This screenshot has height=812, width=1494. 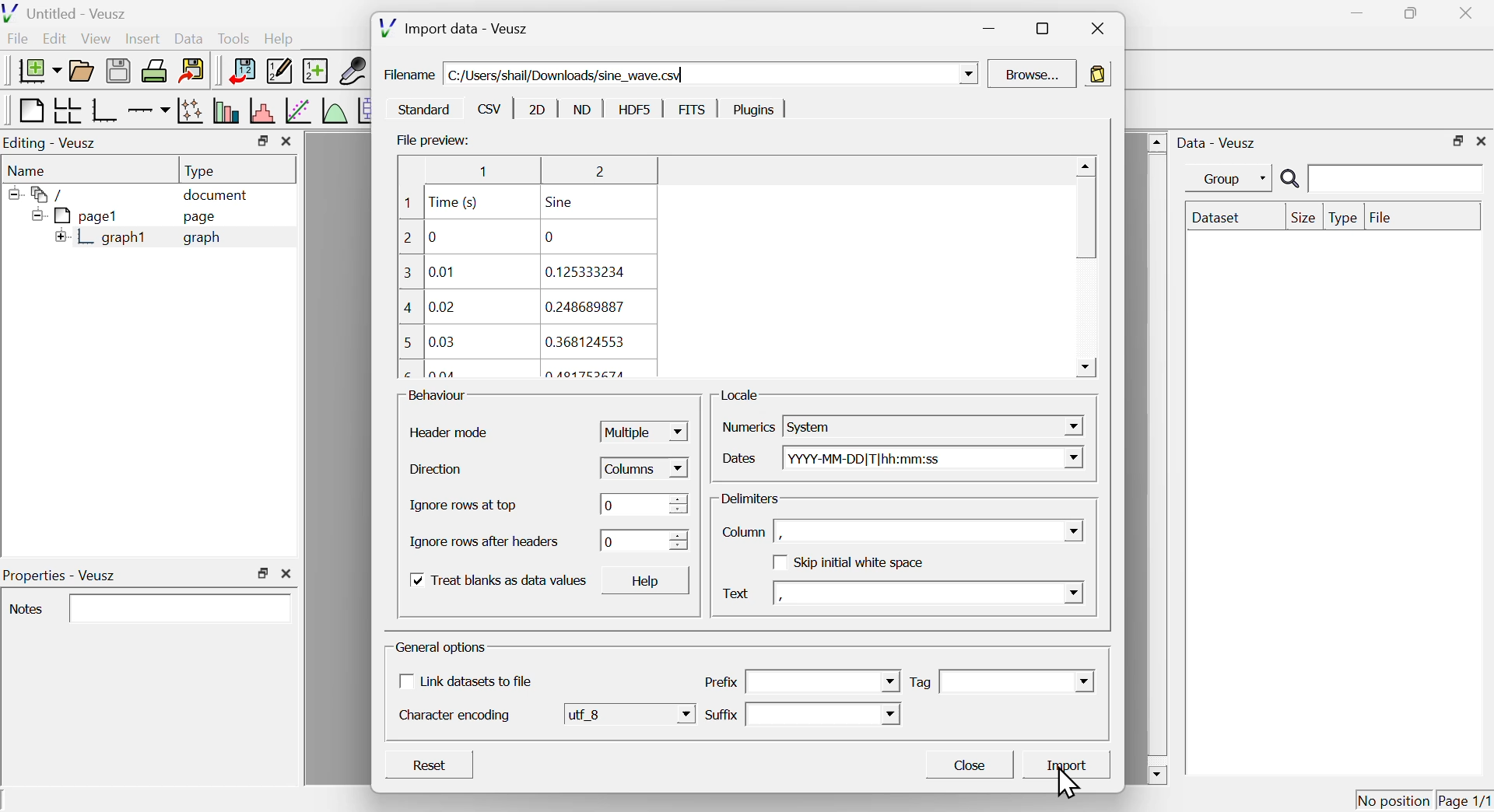 I want to click on ND, so click(x=583, y=108).